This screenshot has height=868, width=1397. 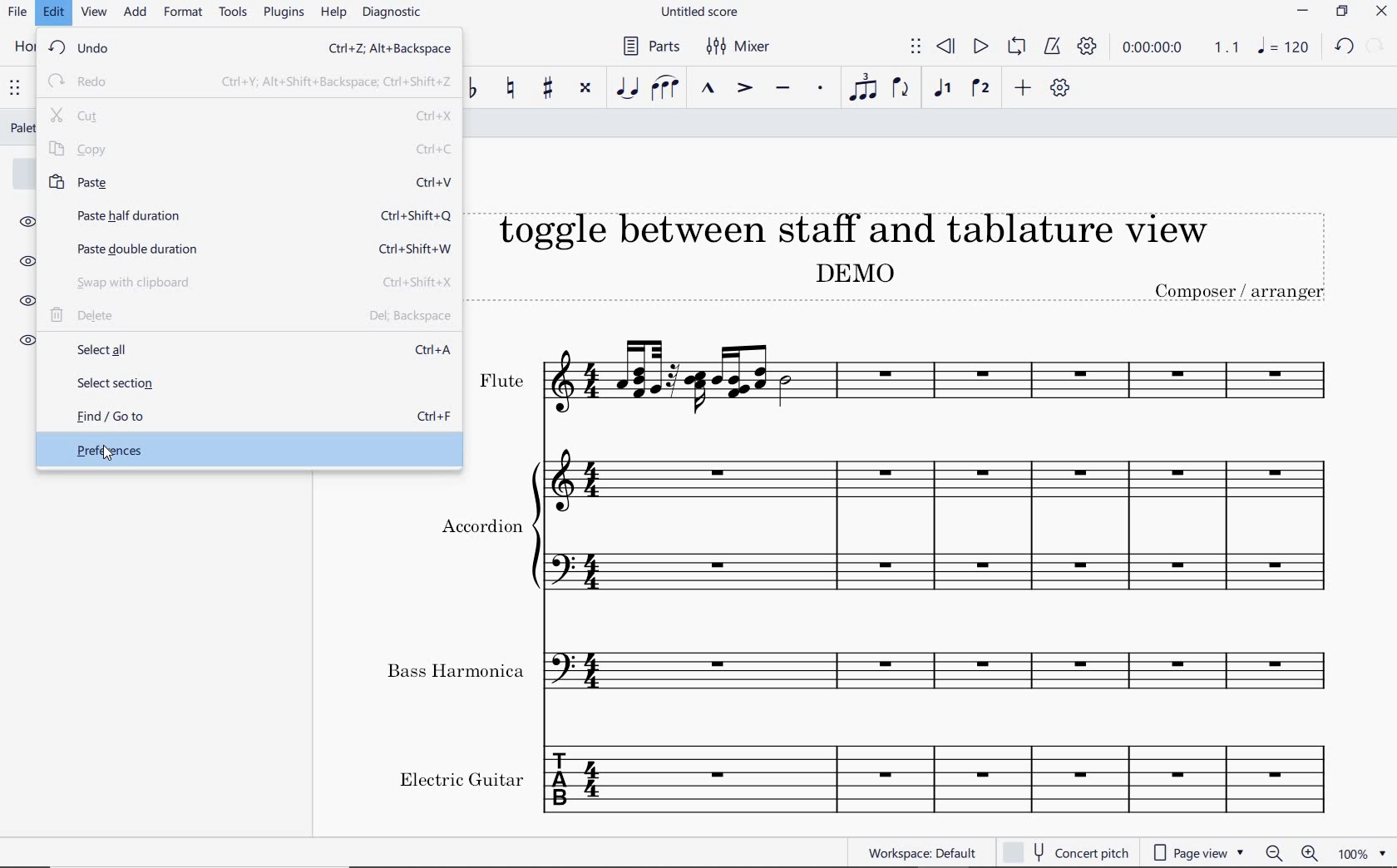 I want to click on metronome, so click(x=1052, y=47).